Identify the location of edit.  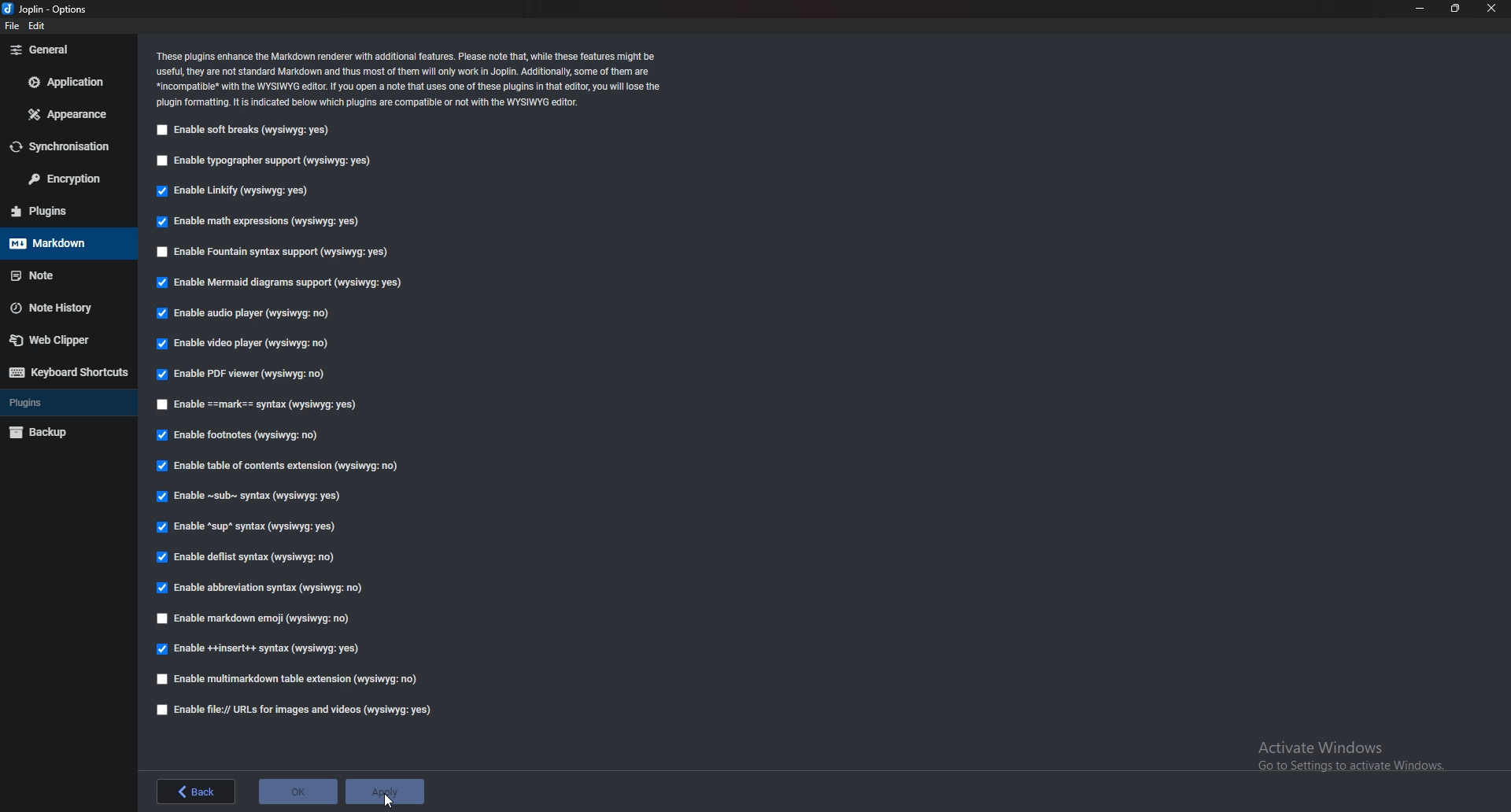
(38, 28).